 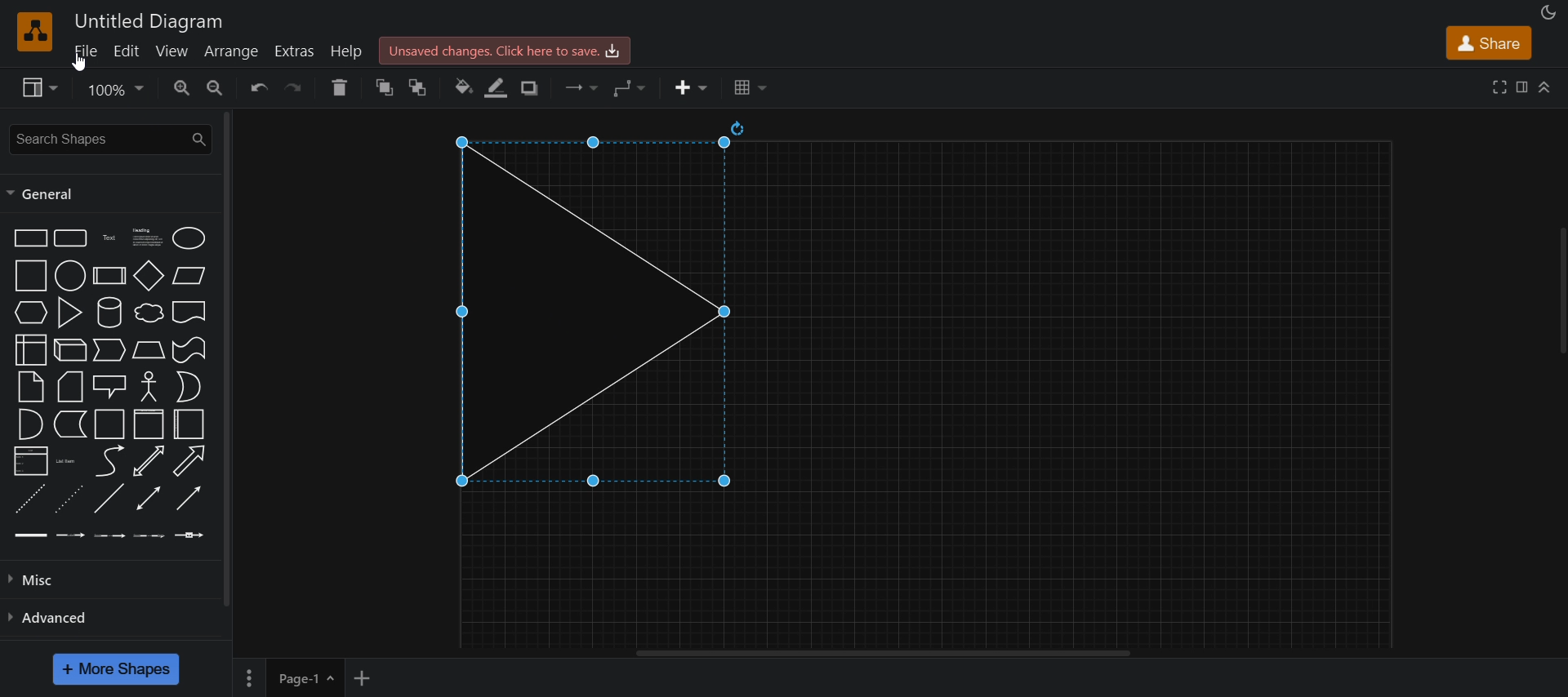 I want to click on zoom out, so click(x=218, y=89).